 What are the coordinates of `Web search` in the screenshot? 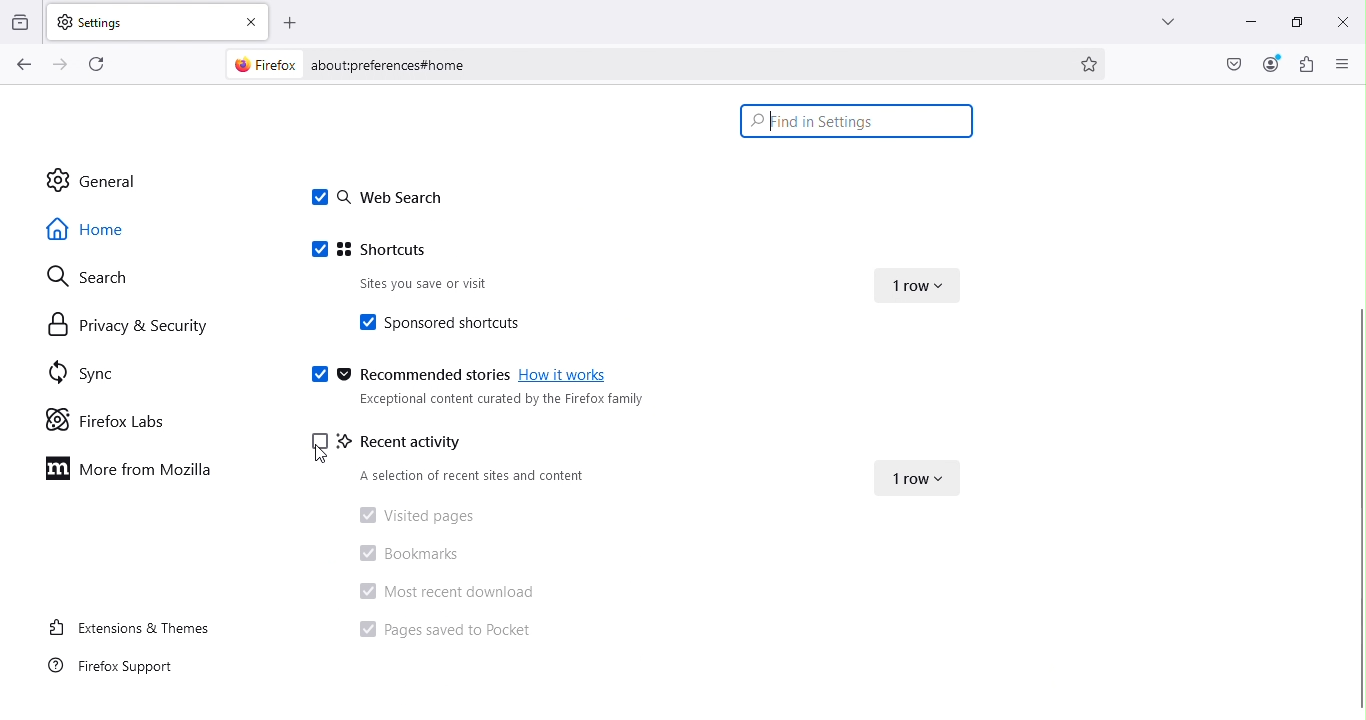 It's located at (375, 199).